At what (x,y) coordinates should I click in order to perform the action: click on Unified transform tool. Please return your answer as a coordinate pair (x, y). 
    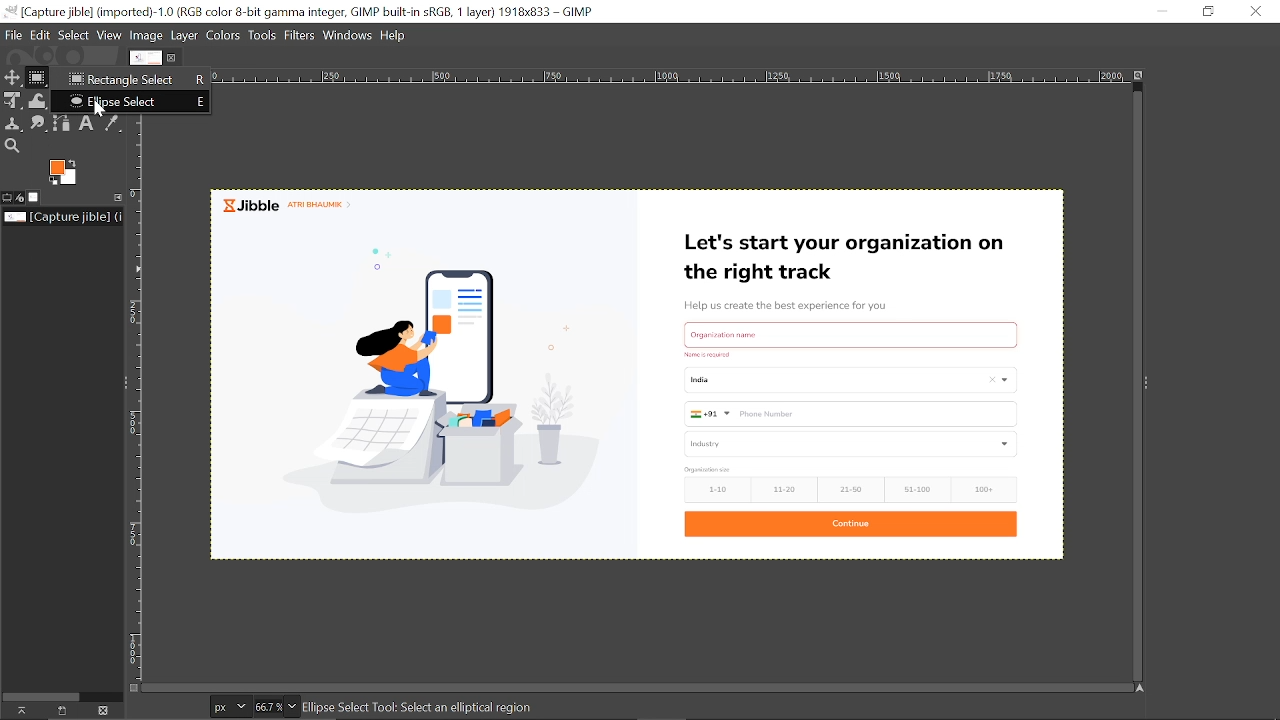
    Looking at the image, I should click on (11, 99).